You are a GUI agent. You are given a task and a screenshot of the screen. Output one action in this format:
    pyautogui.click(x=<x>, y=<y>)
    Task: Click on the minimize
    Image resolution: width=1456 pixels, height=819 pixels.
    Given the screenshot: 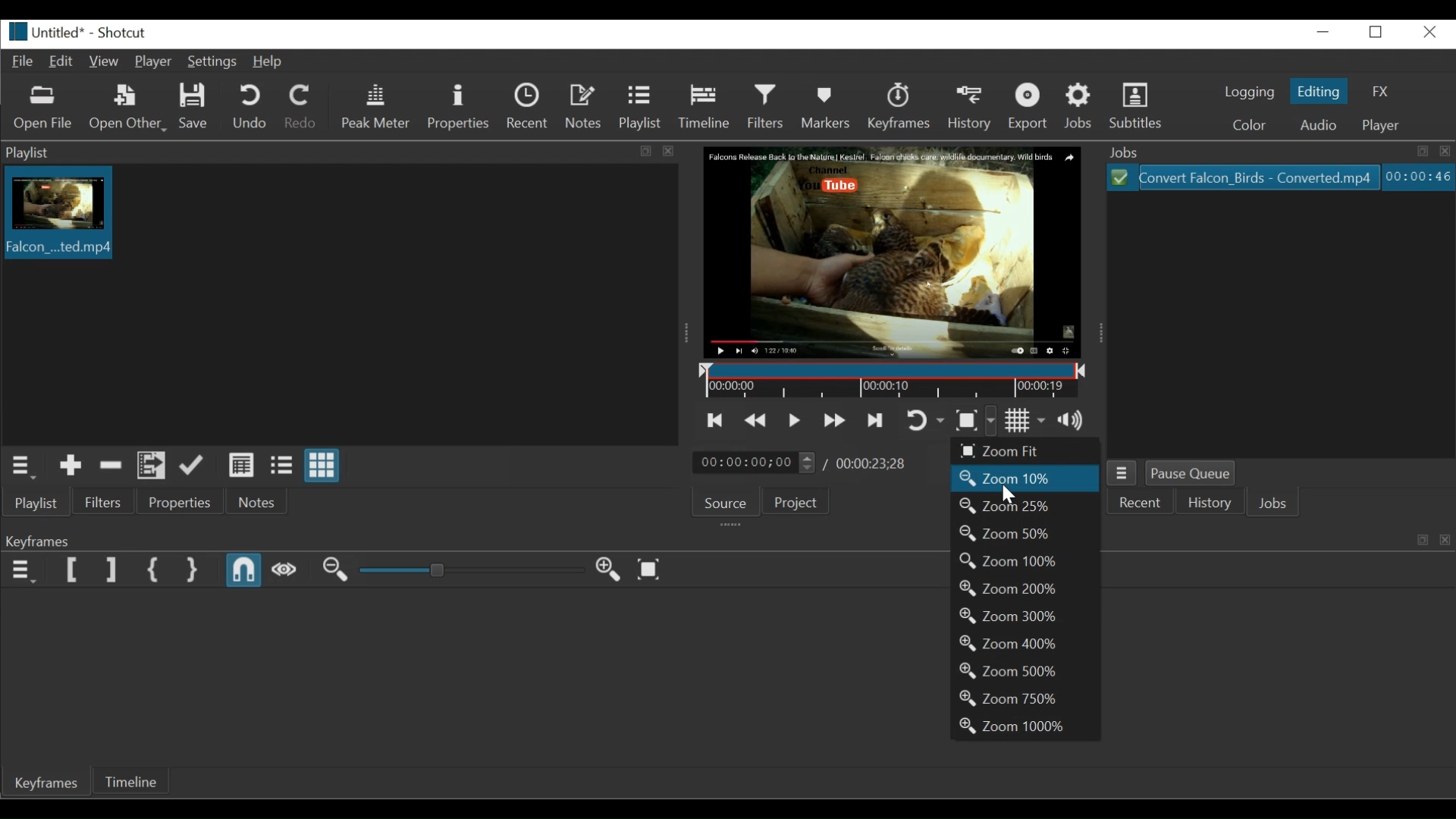 What is the action you would take?
    pyautogui.click(x=1323, y=30)
    